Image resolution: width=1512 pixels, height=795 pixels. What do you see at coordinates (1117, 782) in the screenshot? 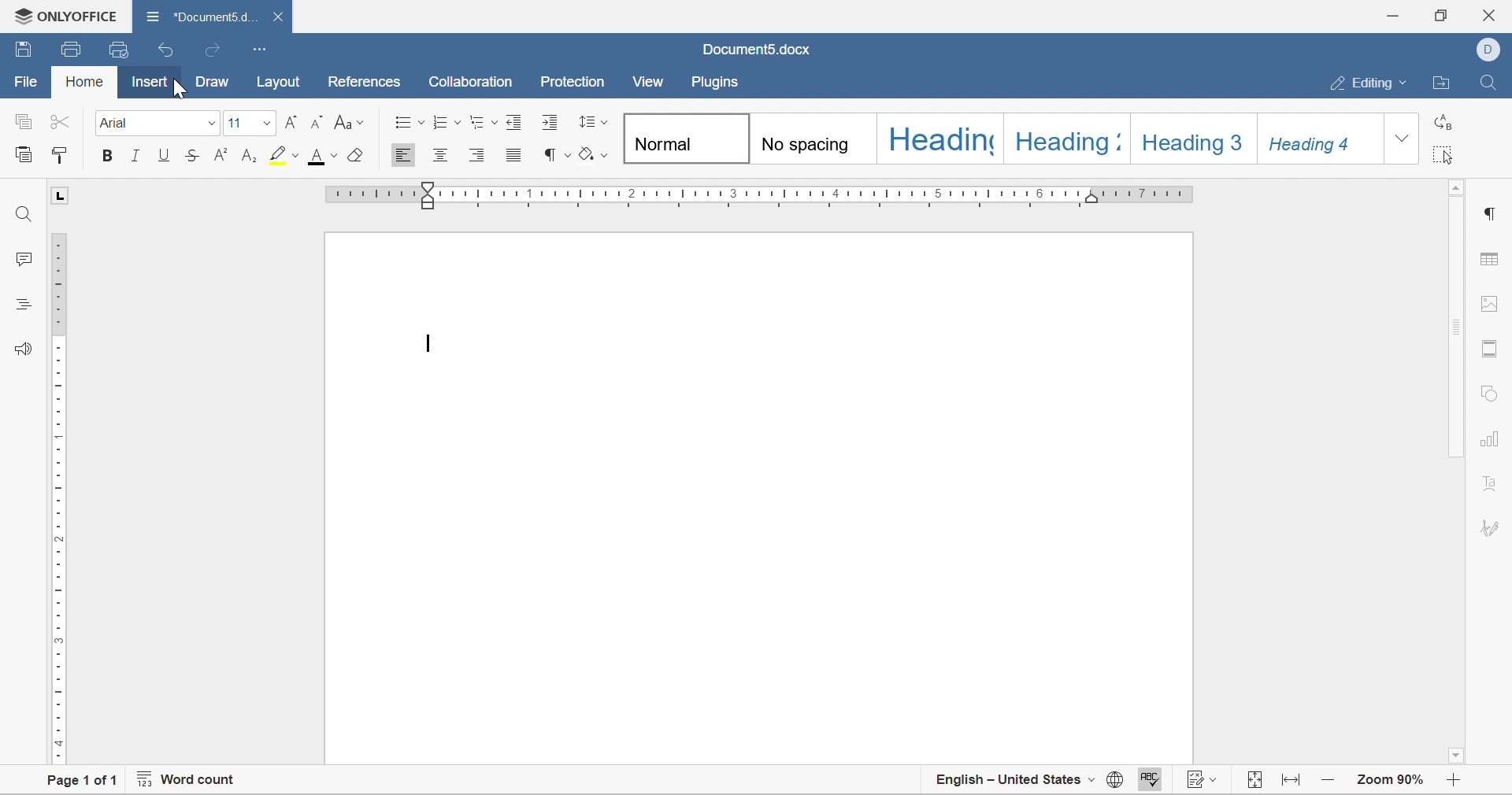
I see `set document language` at bounding box center [1117, 782].